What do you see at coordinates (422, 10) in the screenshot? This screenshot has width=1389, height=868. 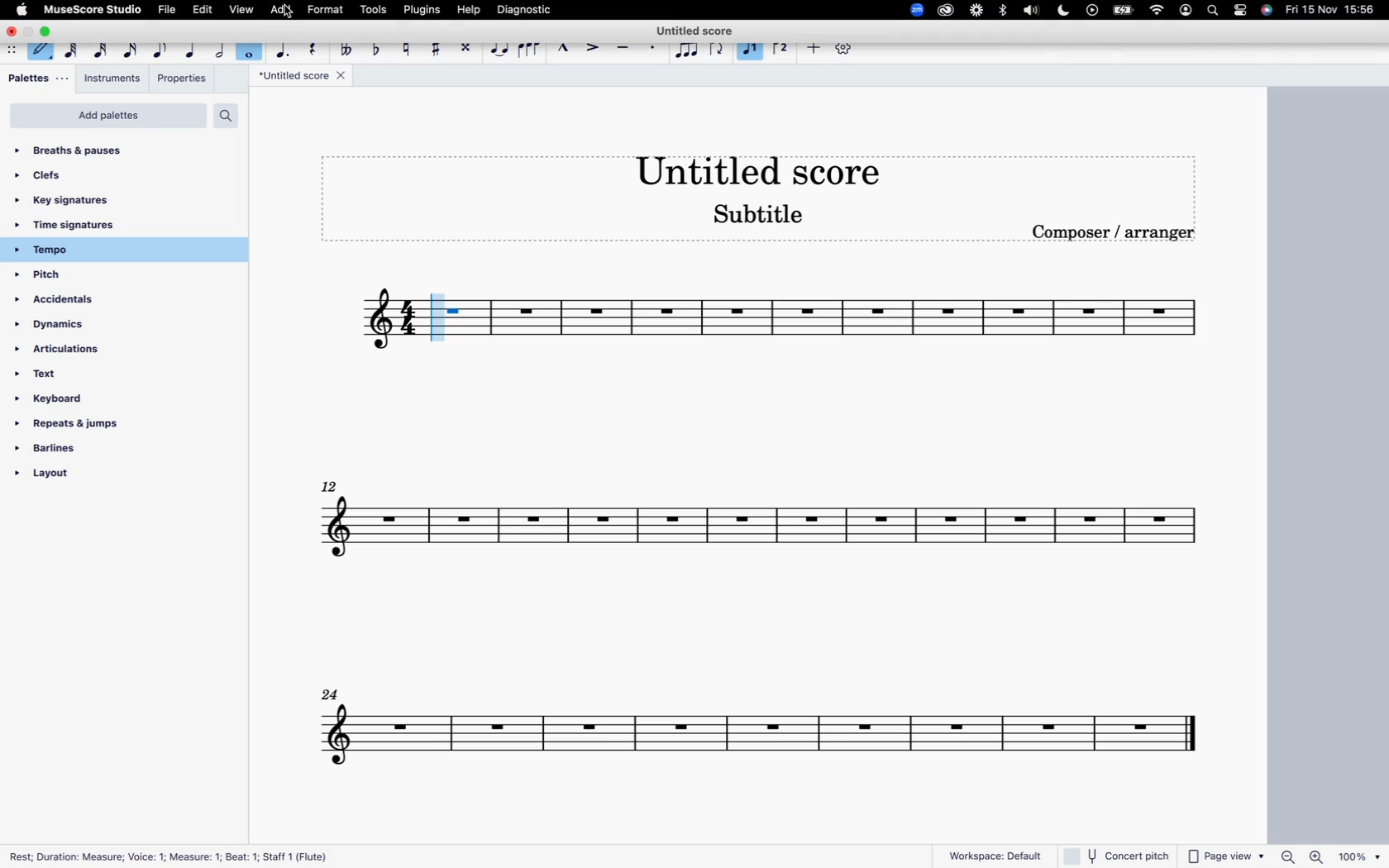 I see `plugins` at bounding box center [422, 10].